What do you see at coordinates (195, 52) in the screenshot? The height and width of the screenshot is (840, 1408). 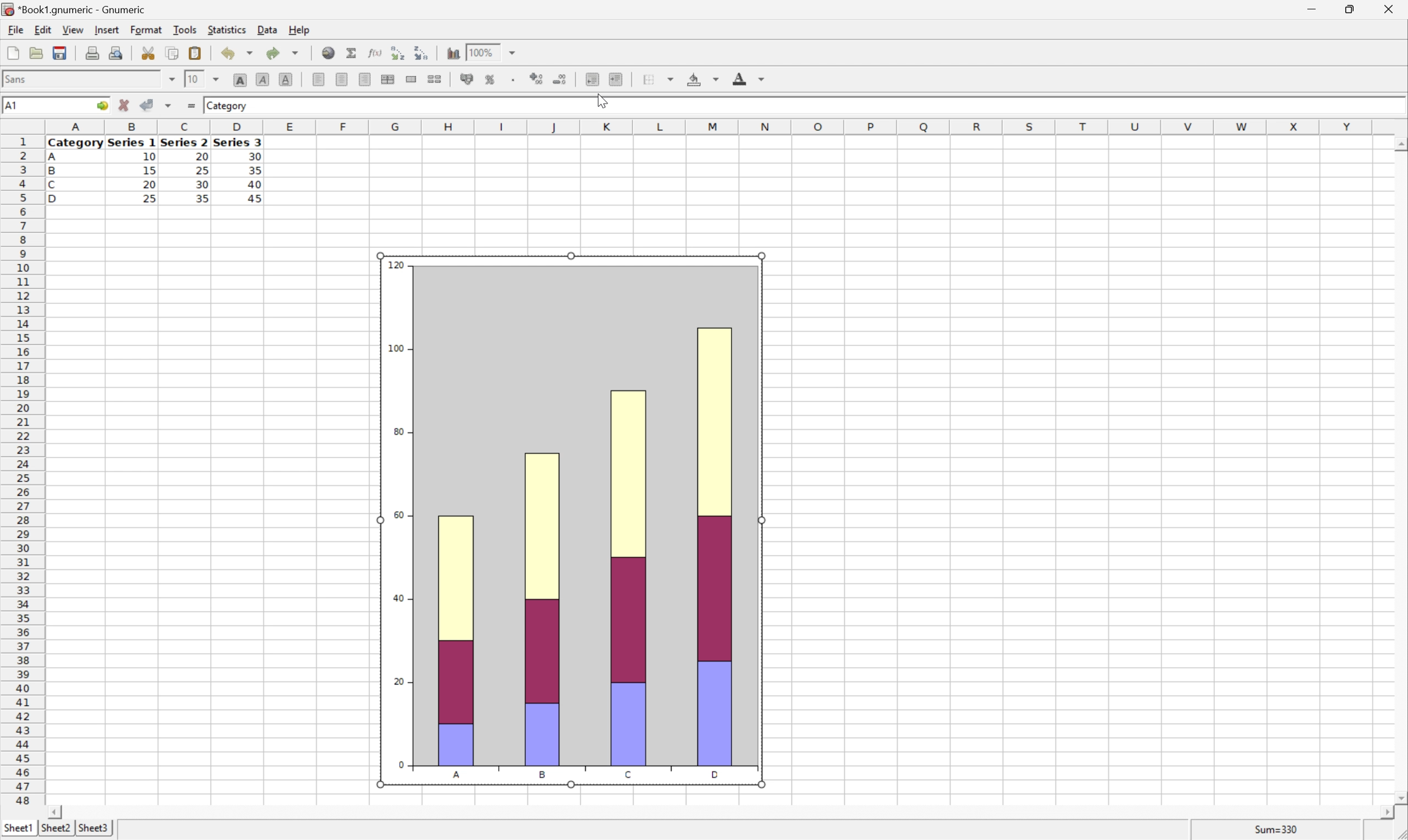 I see `Paste clipboard` at bounding box center [195, 52].